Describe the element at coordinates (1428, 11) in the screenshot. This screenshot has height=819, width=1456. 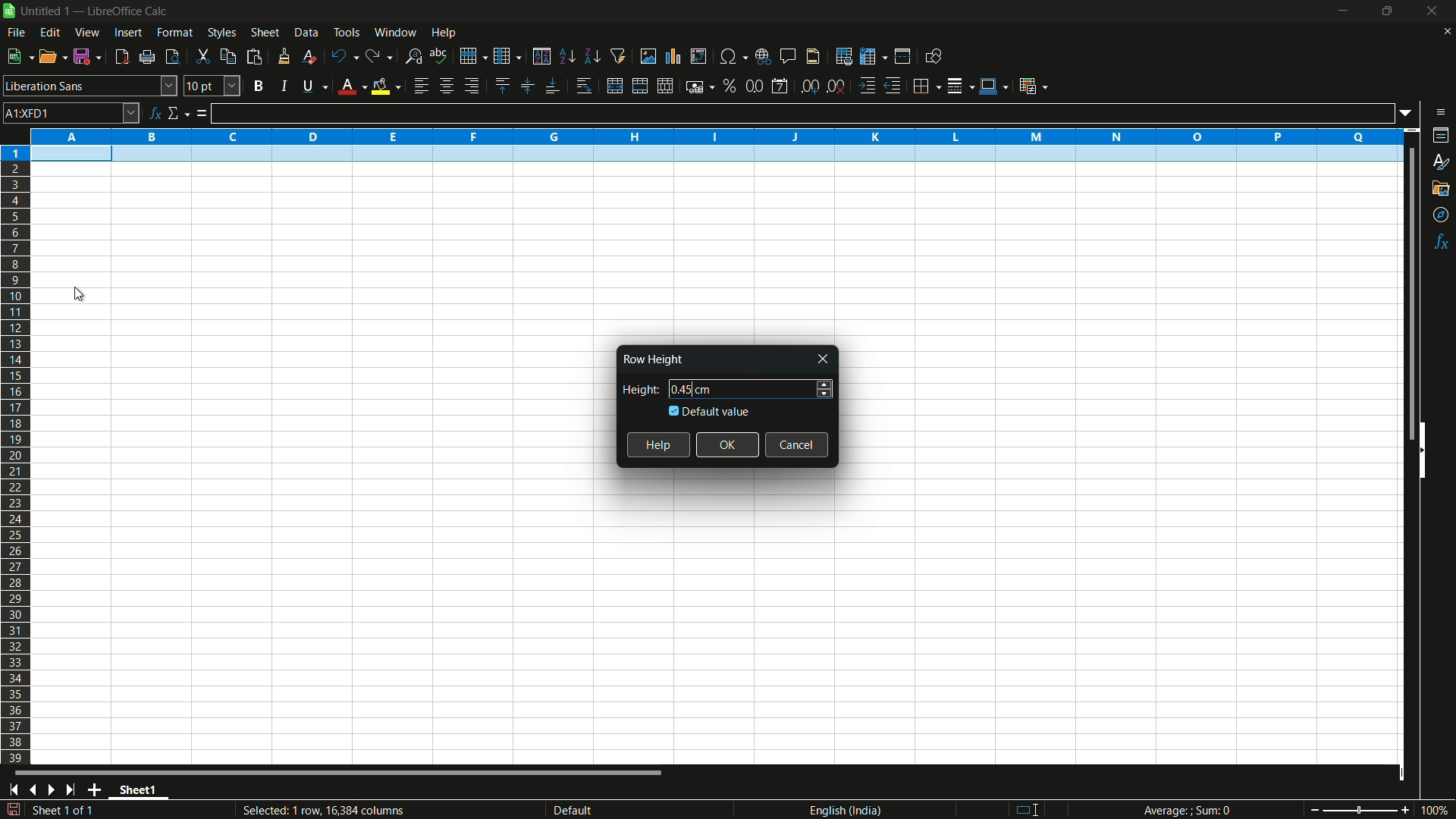
I see `close app` at that location.